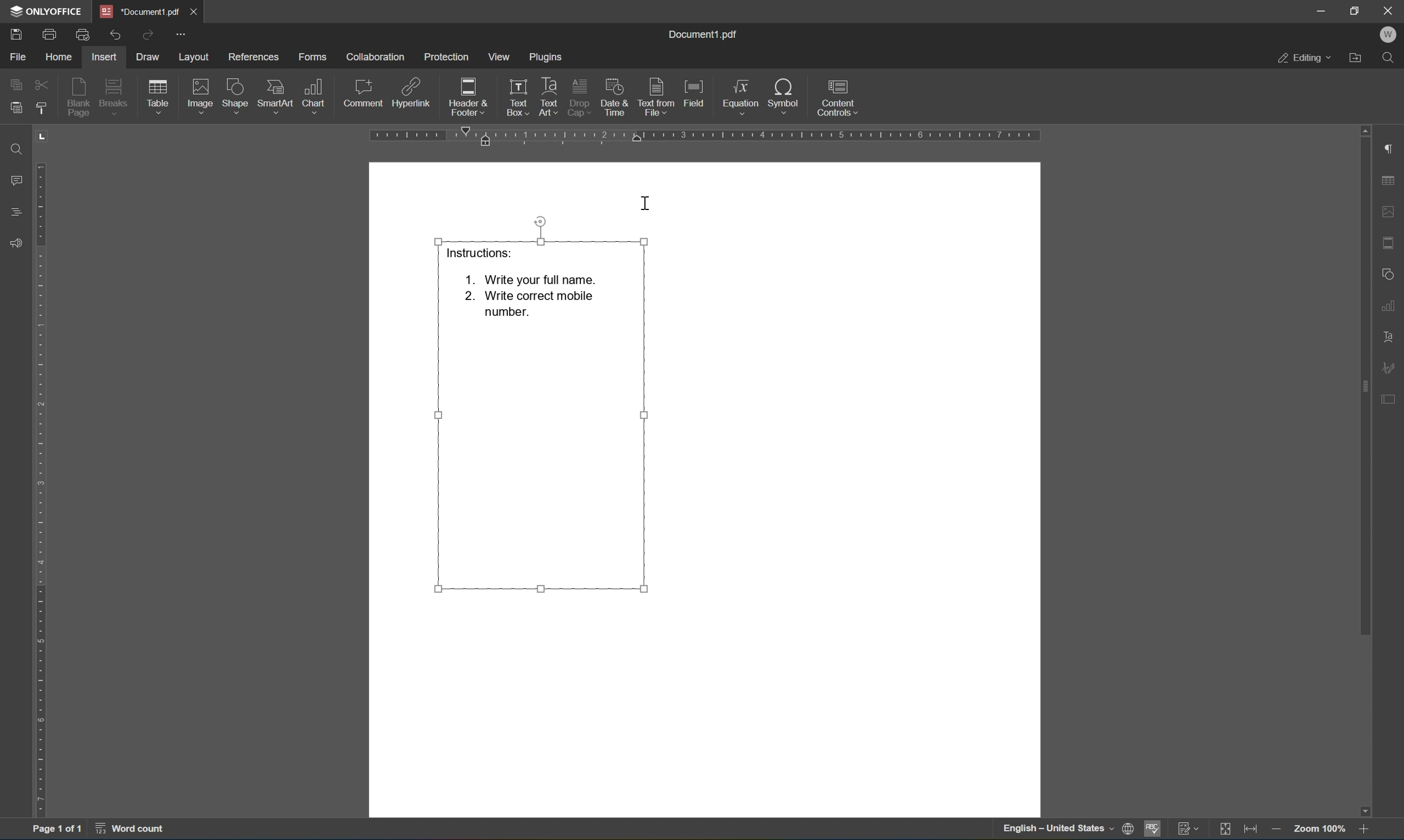 Image resolution: width=1404 pixels, height=840 pixels. I want to click on zoom in, so click(1364, 830).